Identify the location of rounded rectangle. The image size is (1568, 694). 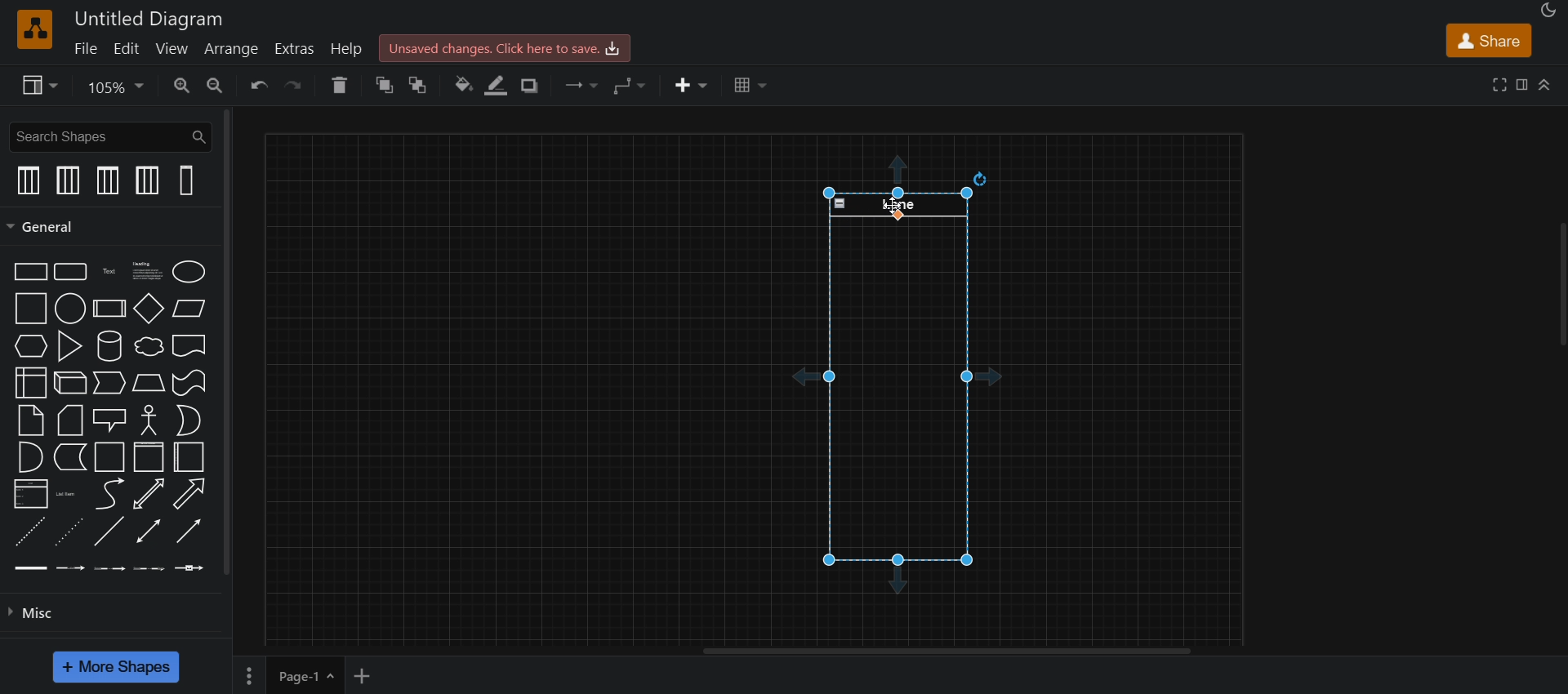
(71, 273).